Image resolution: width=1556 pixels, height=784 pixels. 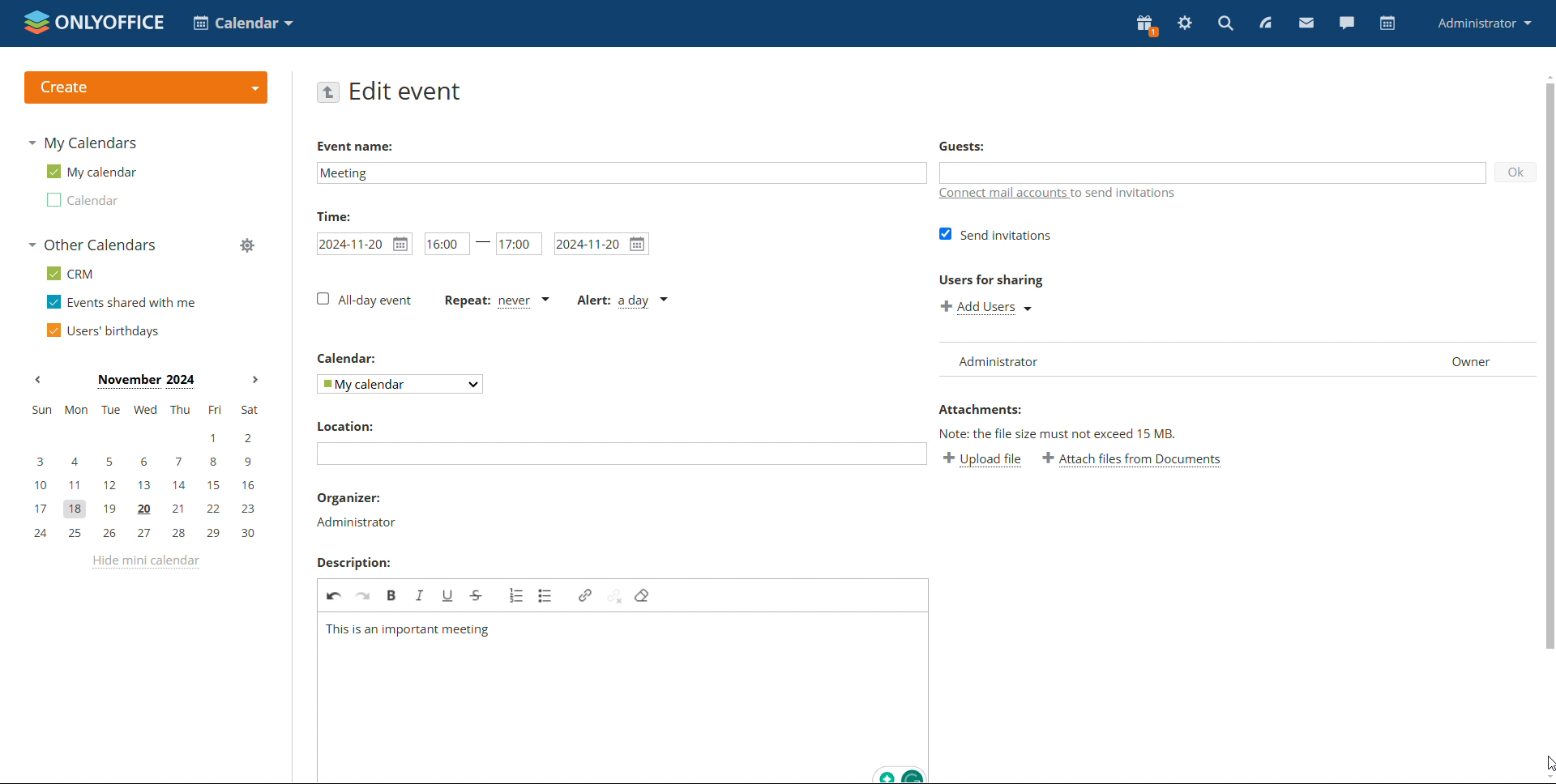 I want to click on link, so click(x=586, y=596).